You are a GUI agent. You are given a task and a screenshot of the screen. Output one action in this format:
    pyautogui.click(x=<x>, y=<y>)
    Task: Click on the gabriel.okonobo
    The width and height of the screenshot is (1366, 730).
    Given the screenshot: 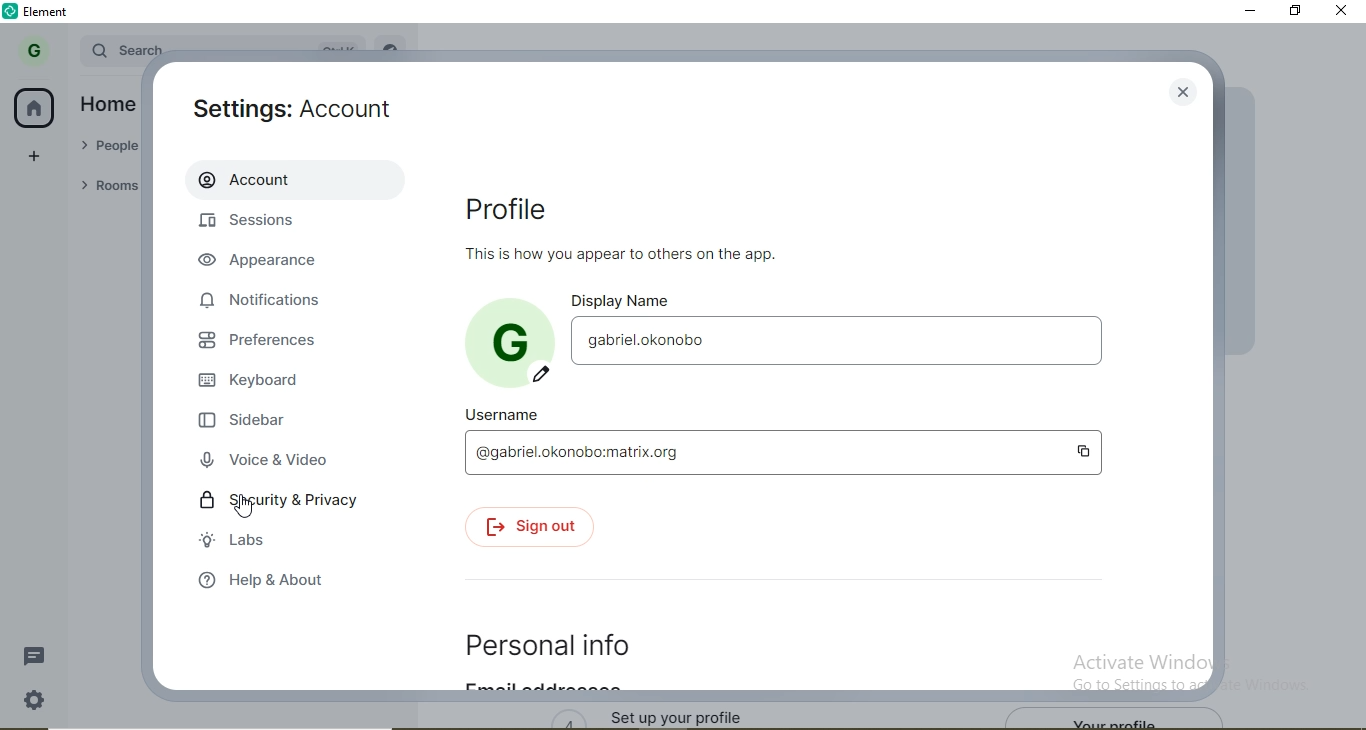 What is the action you would take?
    pyautogui.click(x=837, y=341)
    